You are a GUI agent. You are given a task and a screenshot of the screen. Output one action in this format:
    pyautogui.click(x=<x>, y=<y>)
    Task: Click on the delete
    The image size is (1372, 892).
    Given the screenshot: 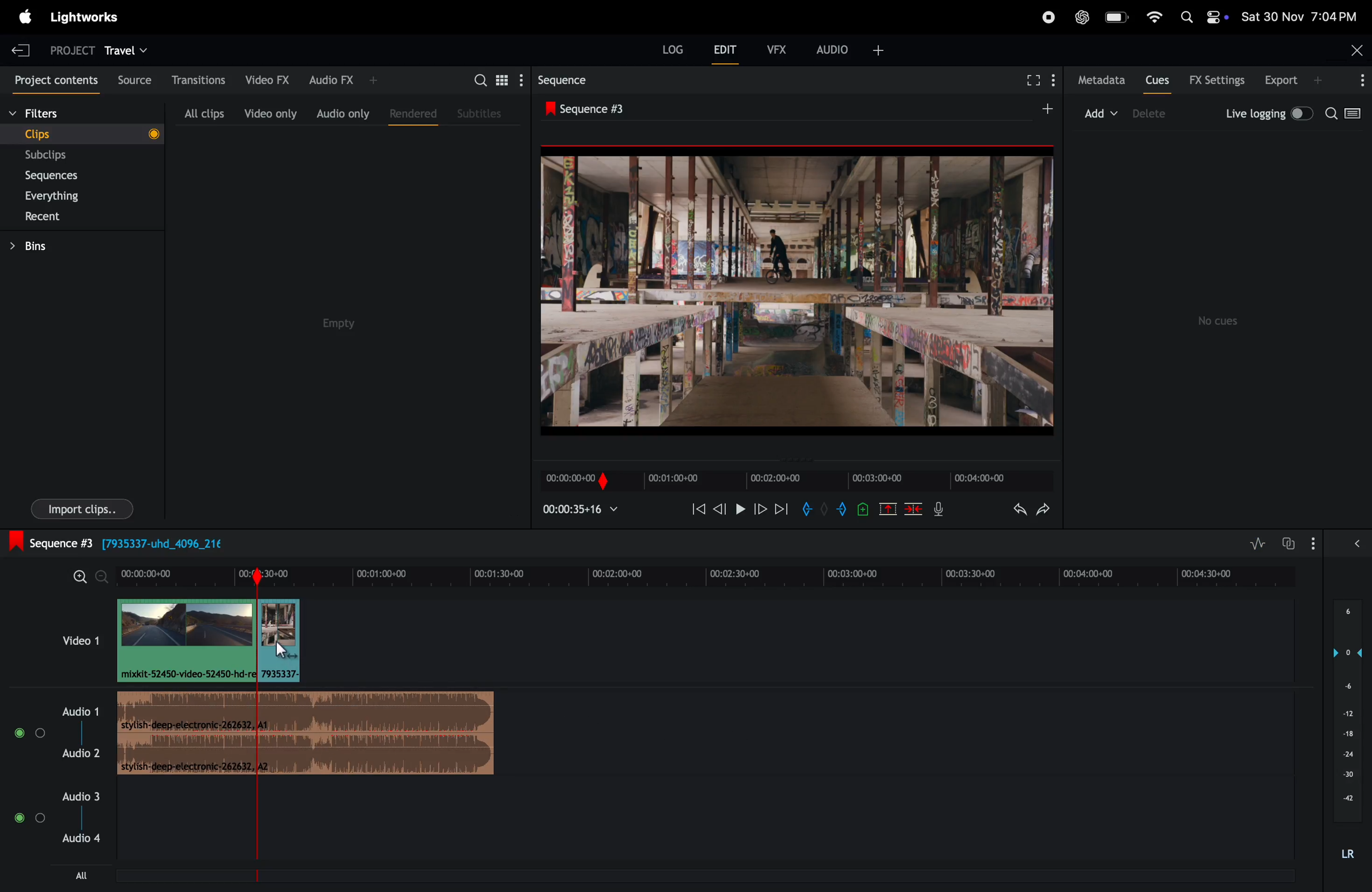 What is the action you would take?
    pyautogui.click(x=1155, y=114)
    